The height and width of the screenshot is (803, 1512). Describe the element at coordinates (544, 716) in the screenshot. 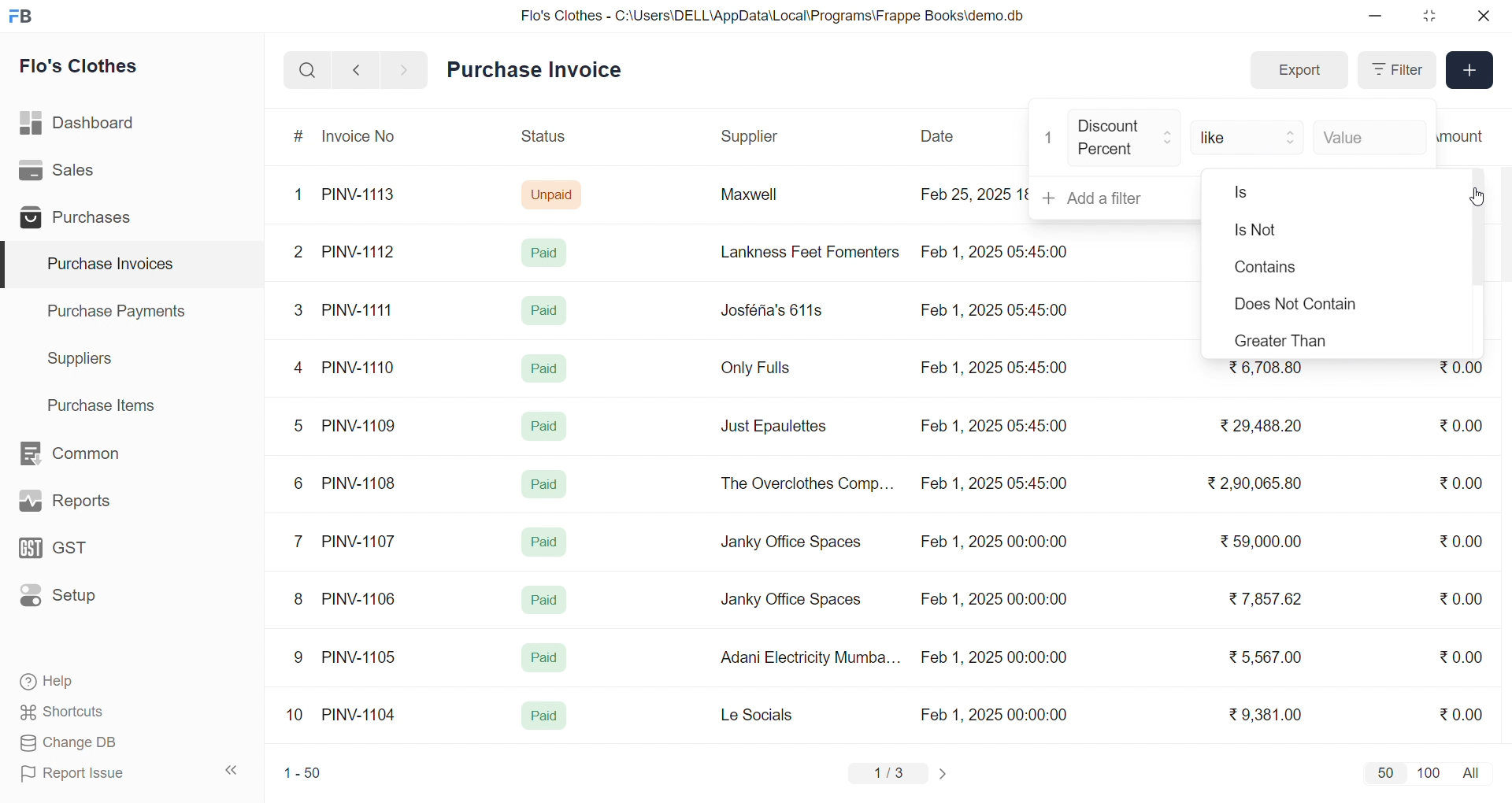

I see `Paid` at that location.